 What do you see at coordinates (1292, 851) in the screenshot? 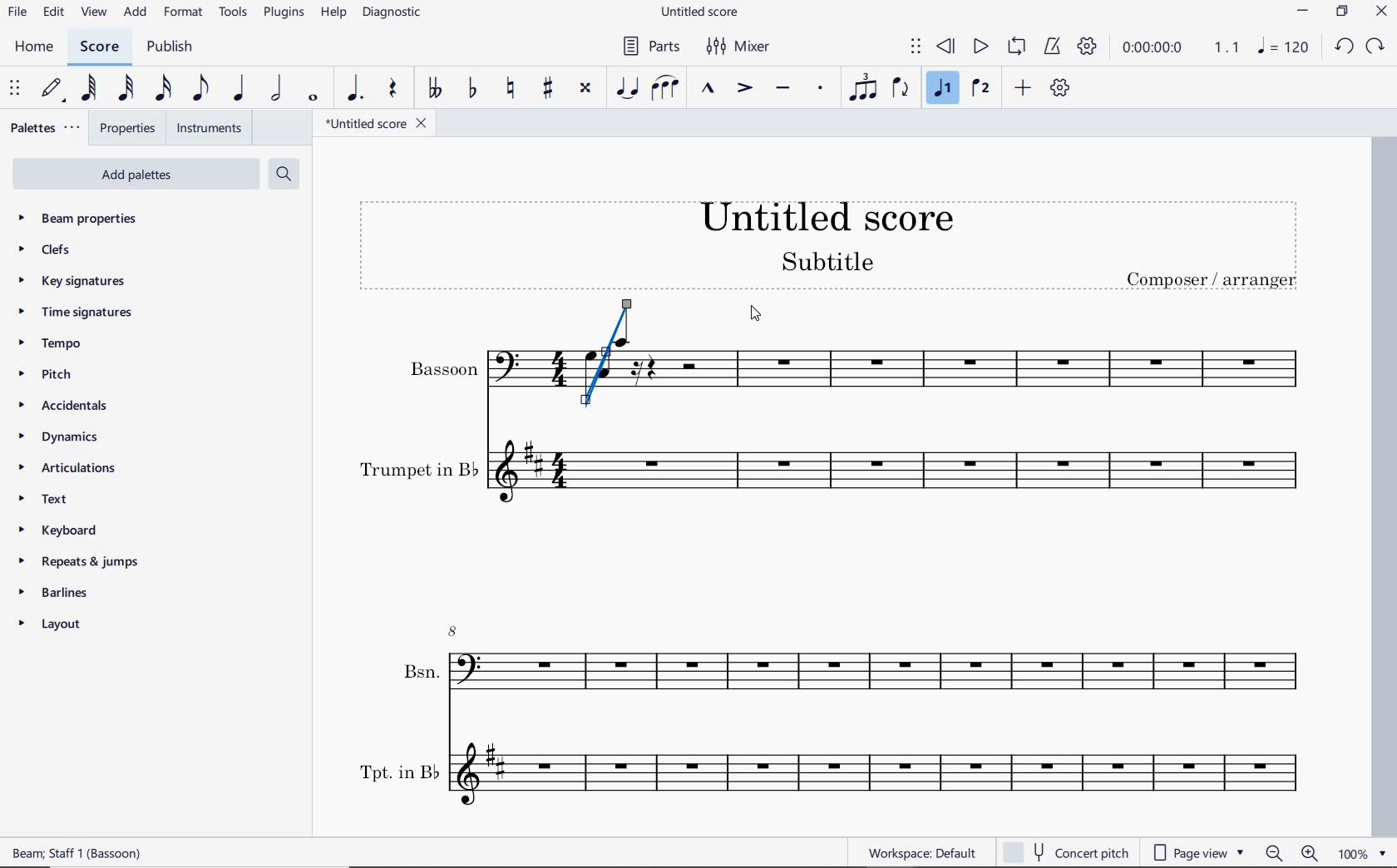
I see `zoom out or zoom in` at bounding box center [1292, 851].